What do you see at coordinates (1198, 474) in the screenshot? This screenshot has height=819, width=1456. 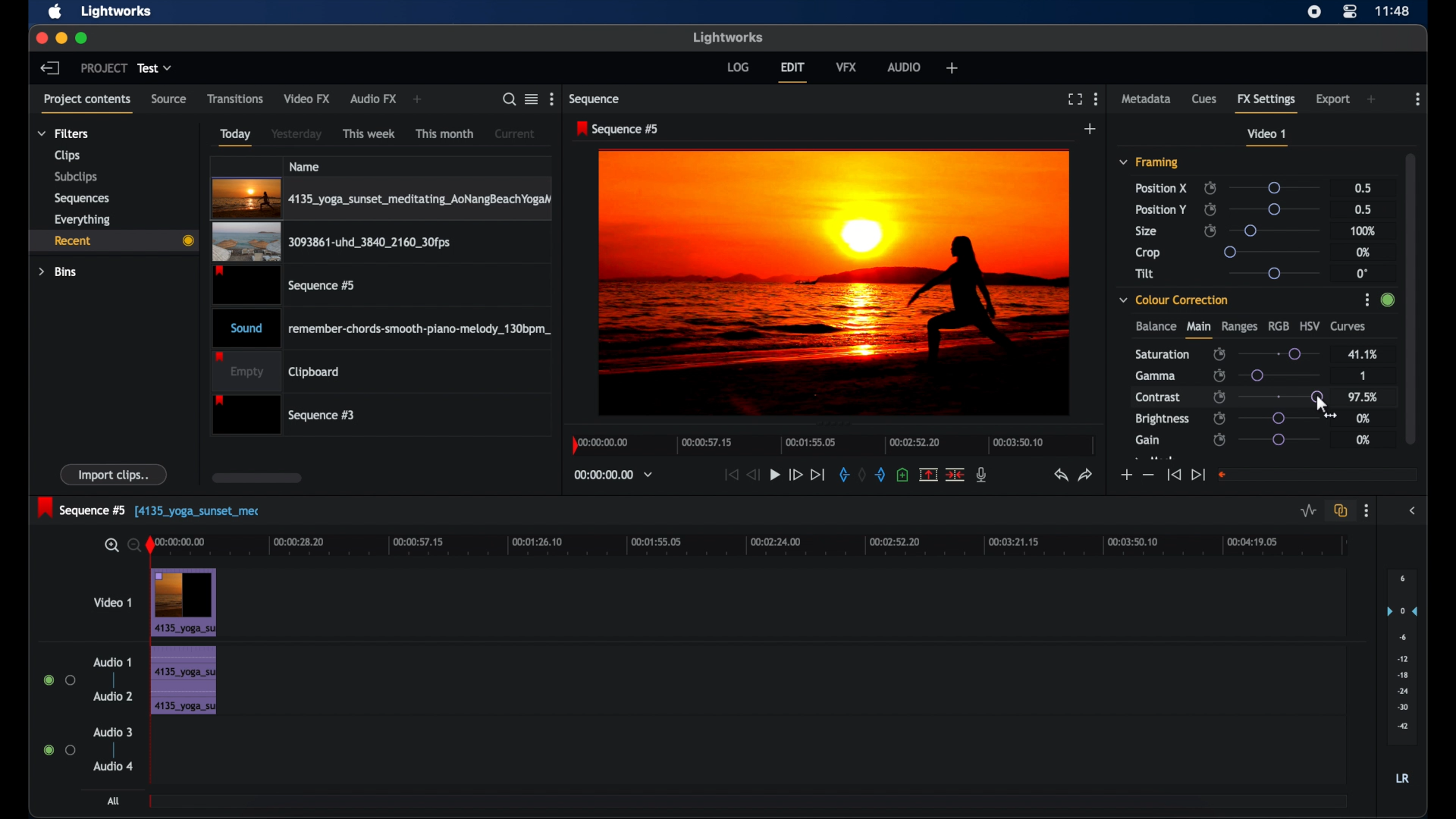 I see `jump to end` at bounding box center [1198, 474].